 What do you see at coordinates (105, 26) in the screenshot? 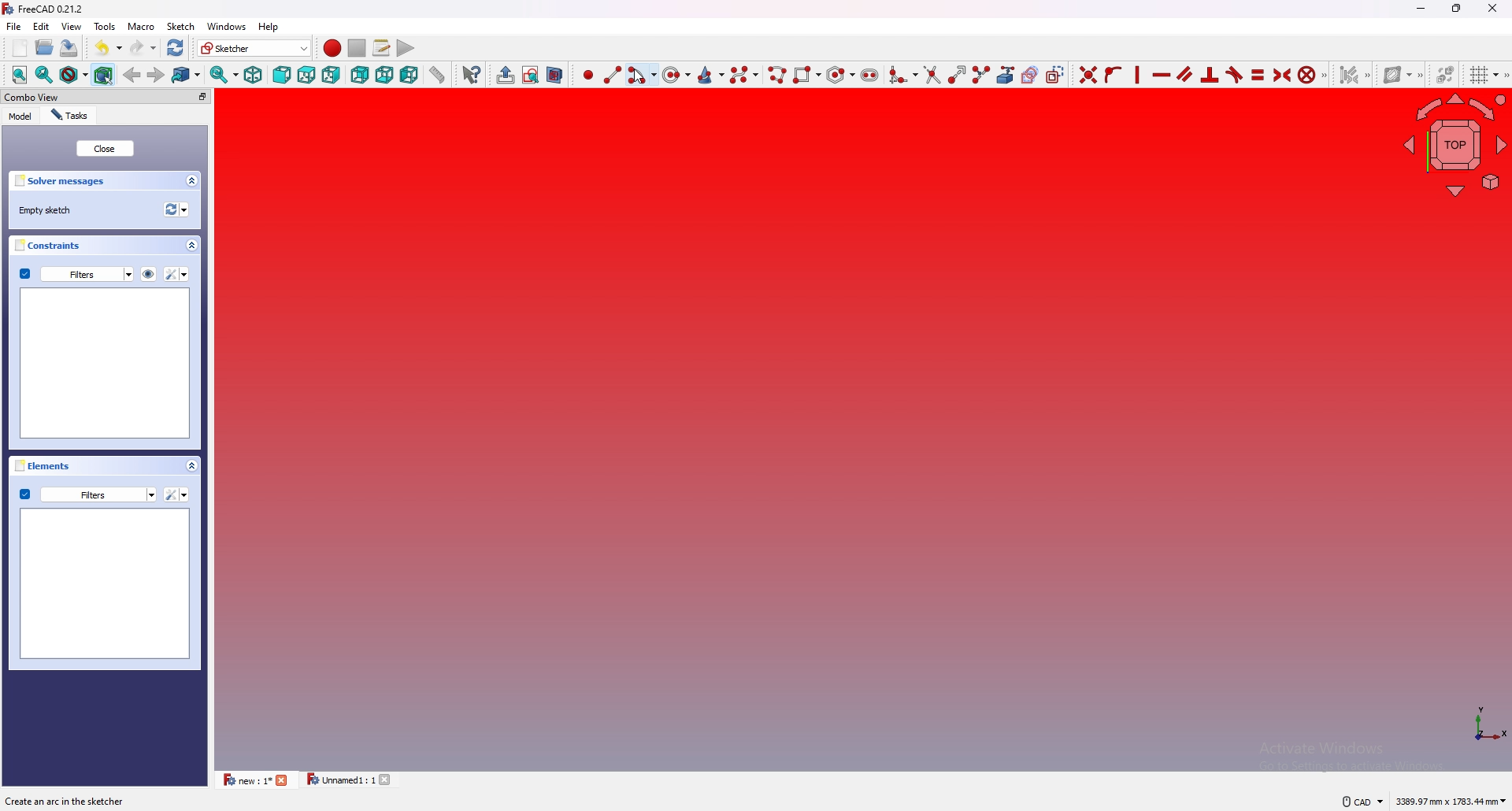
I see `tools` at bounding box center [105, 26].